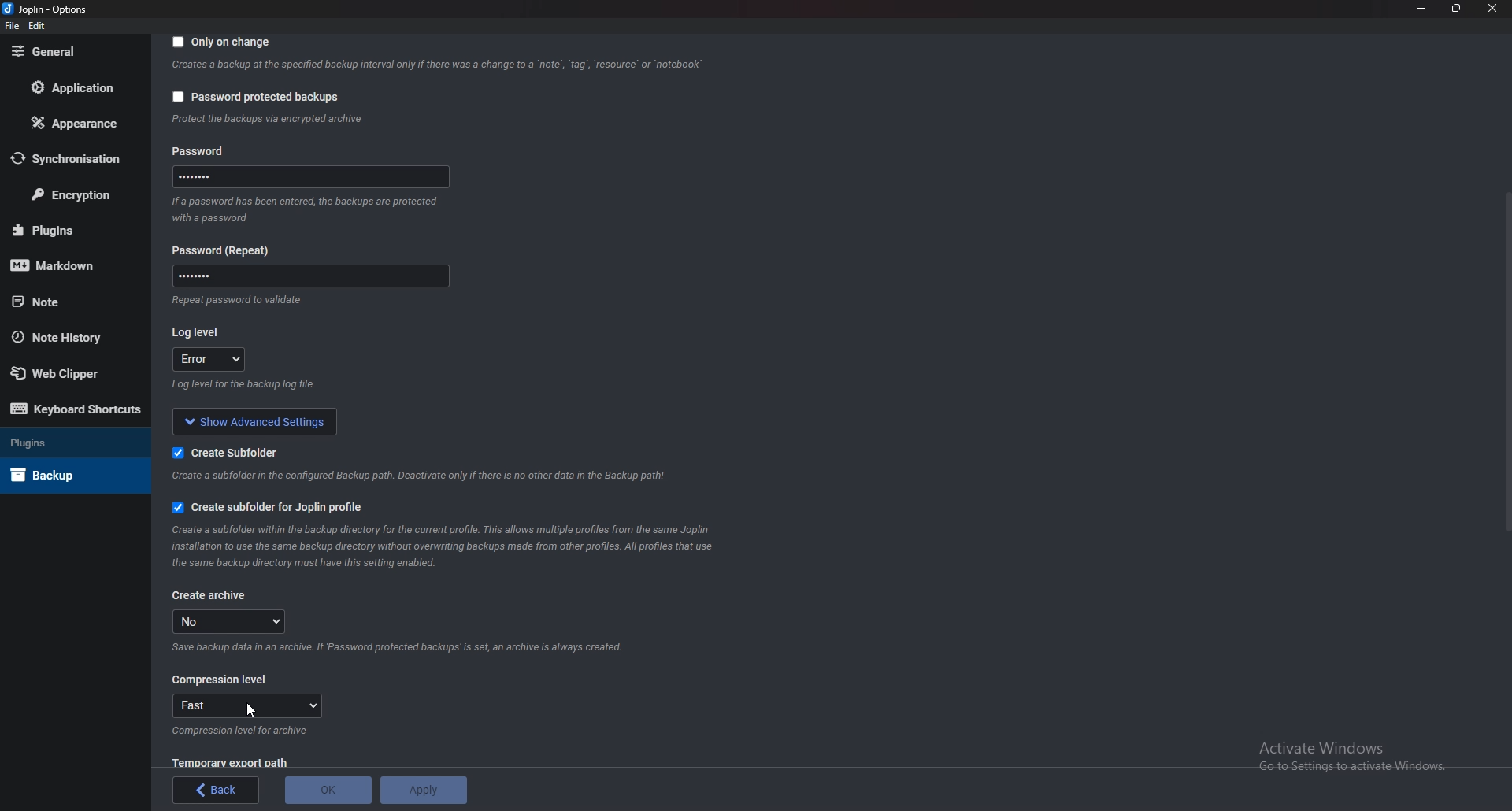  What do you see at coordinates (38, 26) in the screenshot?
I see `Edit` at bounding box center [38, 26].